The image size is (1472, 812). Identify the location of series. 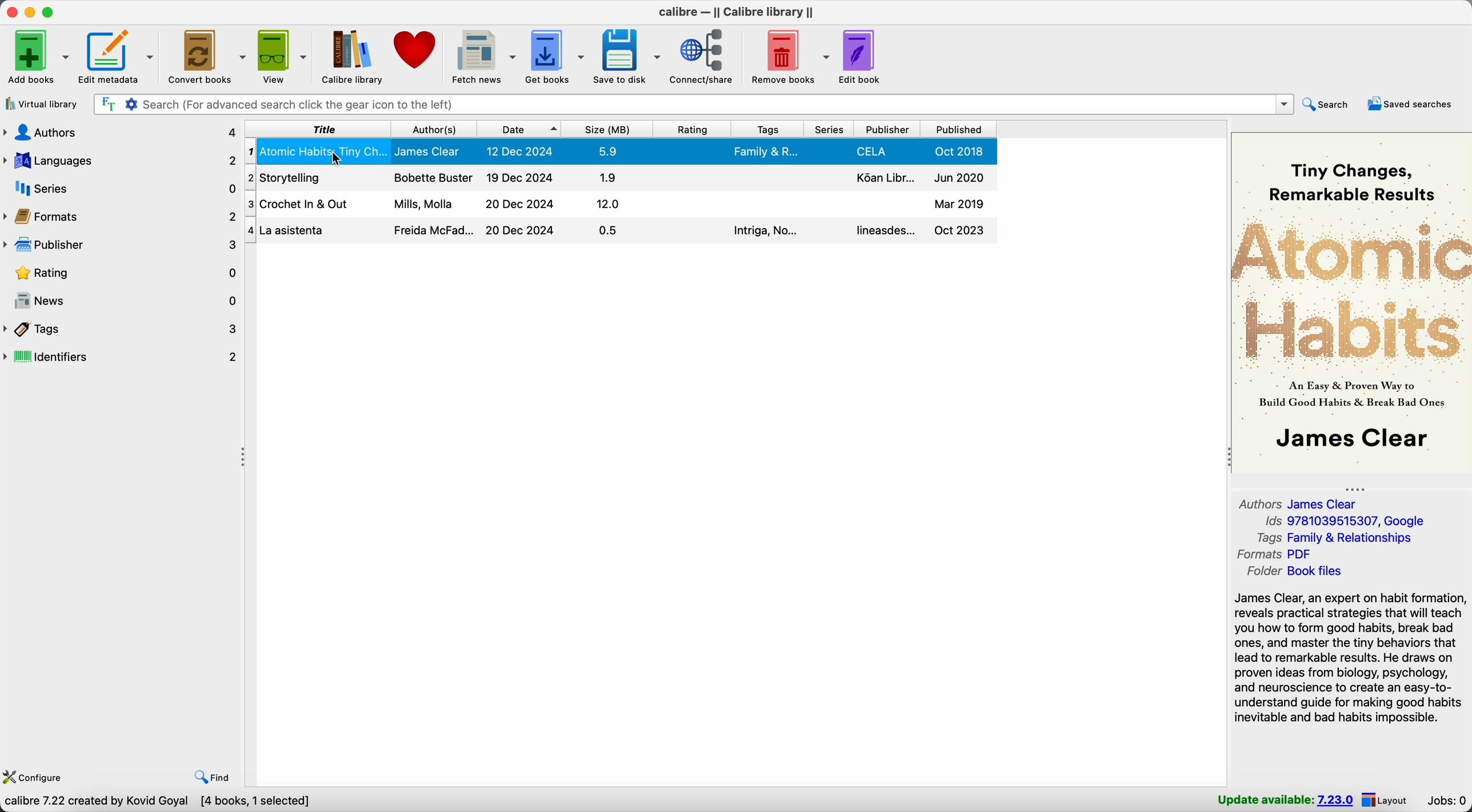
(122, 189).